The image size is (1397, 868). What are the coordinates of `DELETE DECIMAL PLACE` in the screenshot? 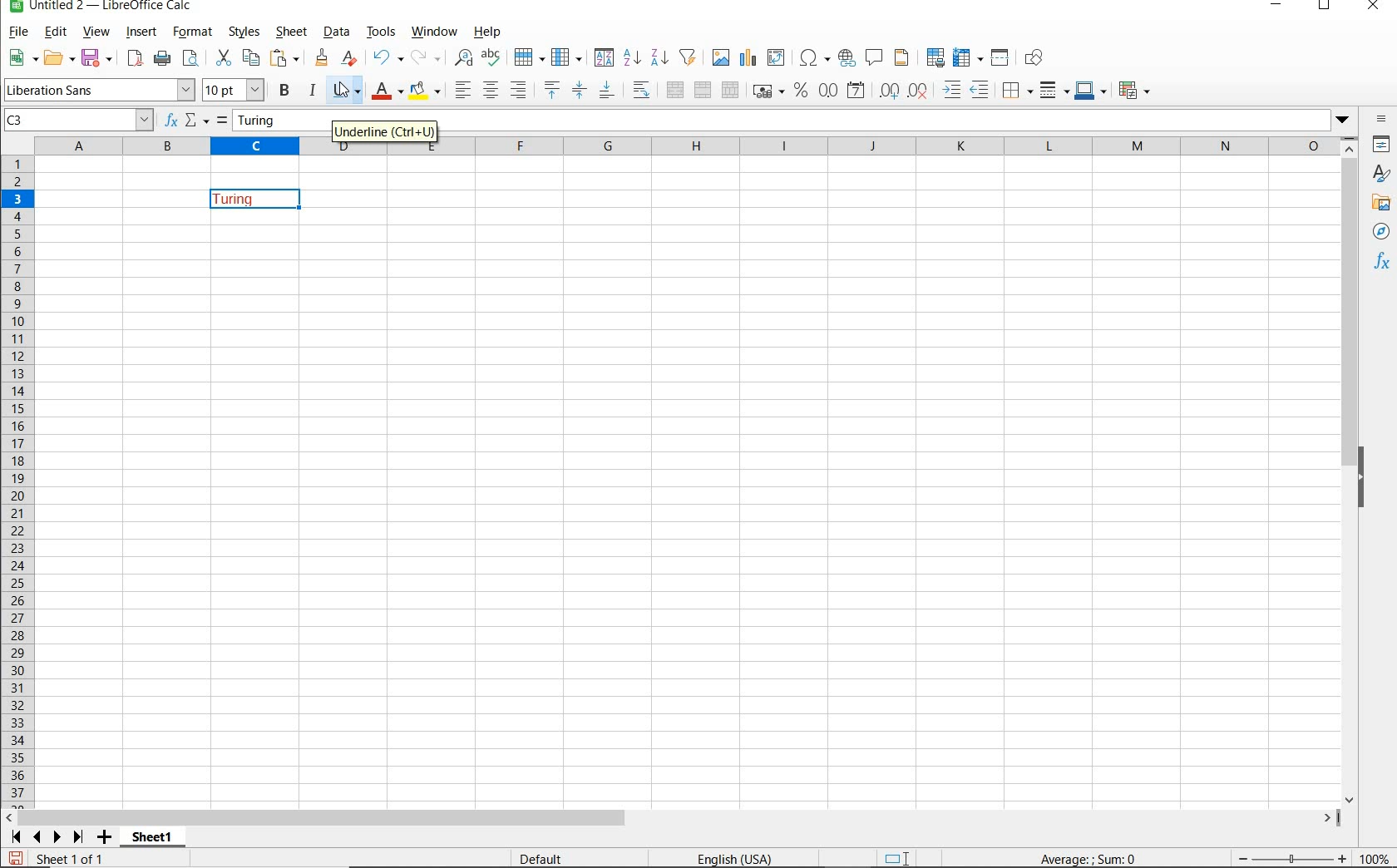 It's located at (918, 92).